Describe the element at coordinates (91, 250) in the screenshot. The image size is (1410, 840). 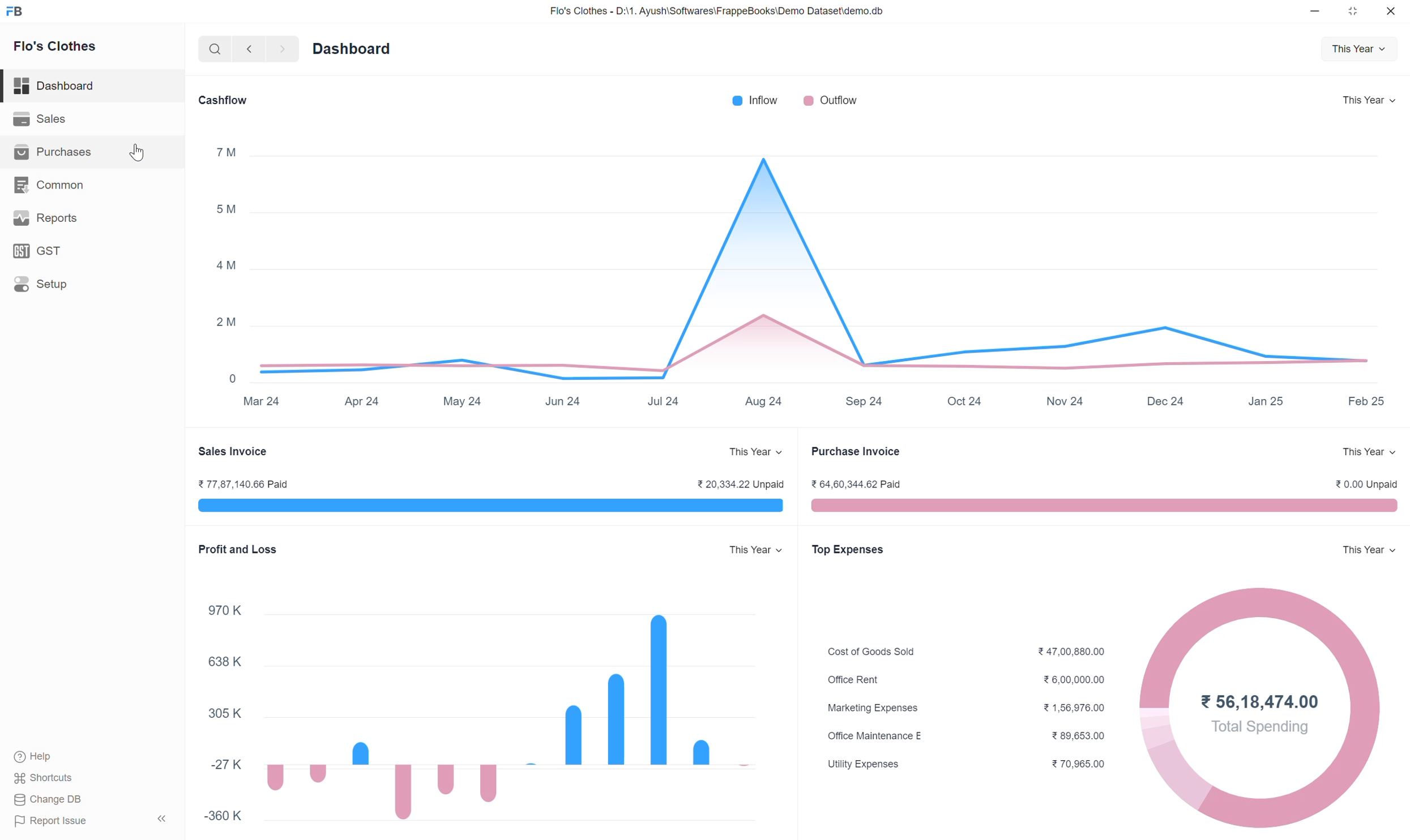
I see `GST` at that location.